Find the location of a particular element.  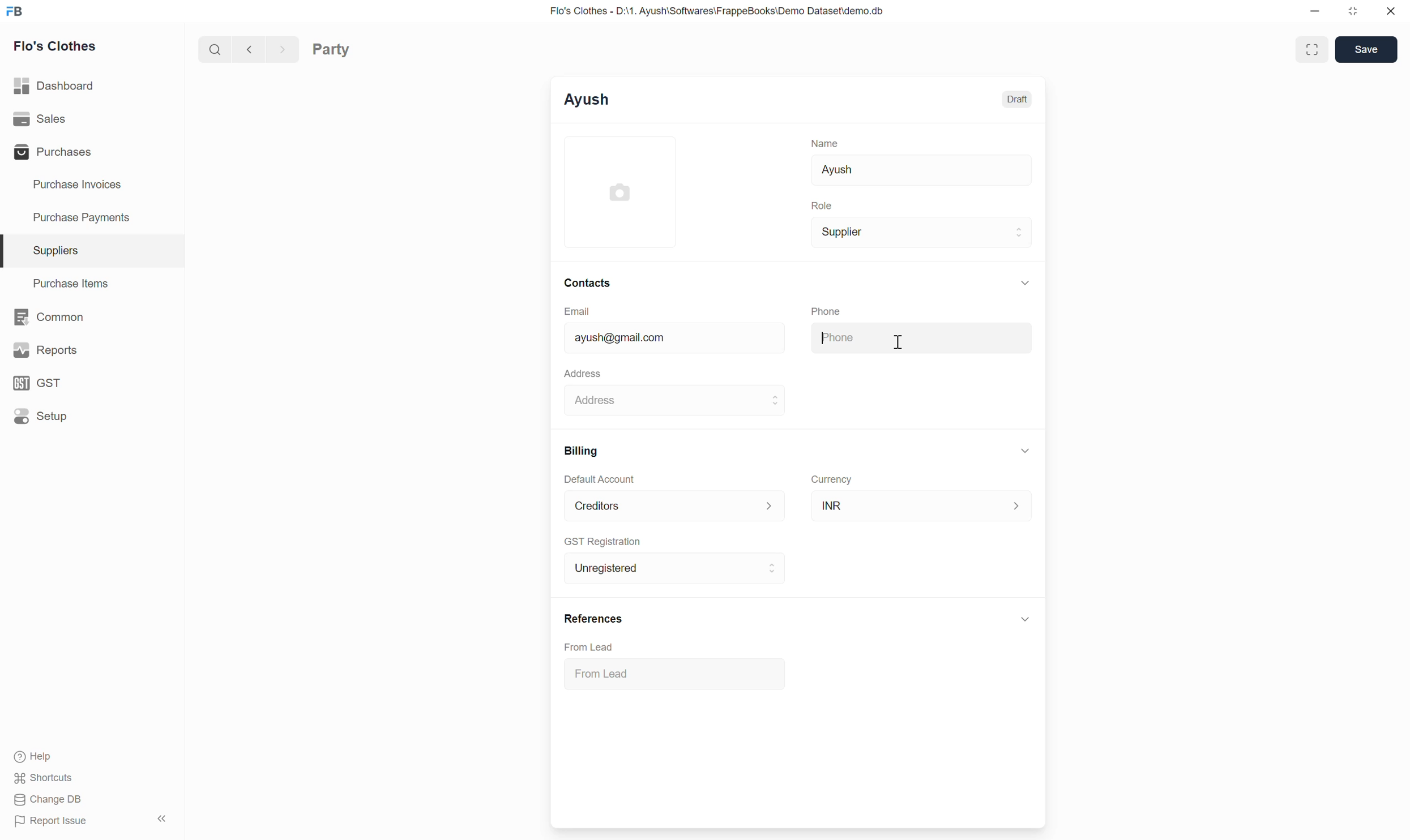

Name is located at coordinates (824, 143).